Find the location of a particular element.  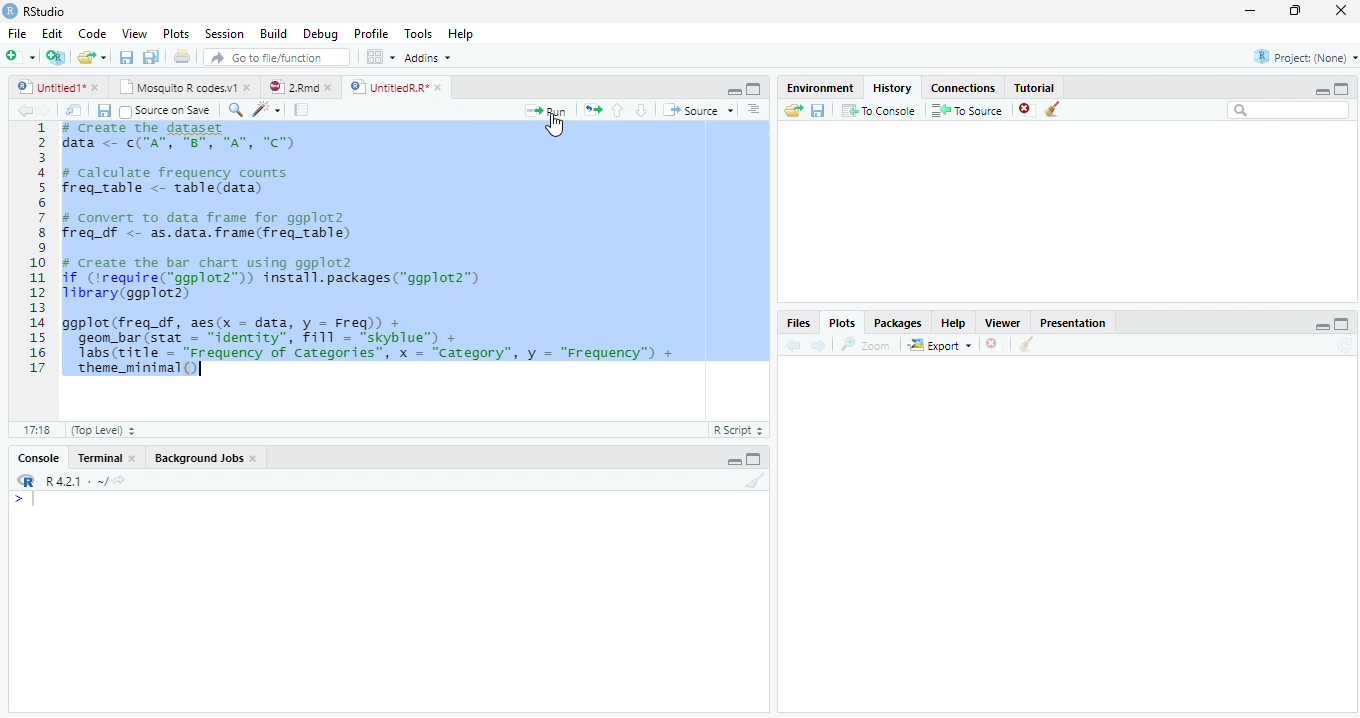

Number list is located at coordinates (34, 254).